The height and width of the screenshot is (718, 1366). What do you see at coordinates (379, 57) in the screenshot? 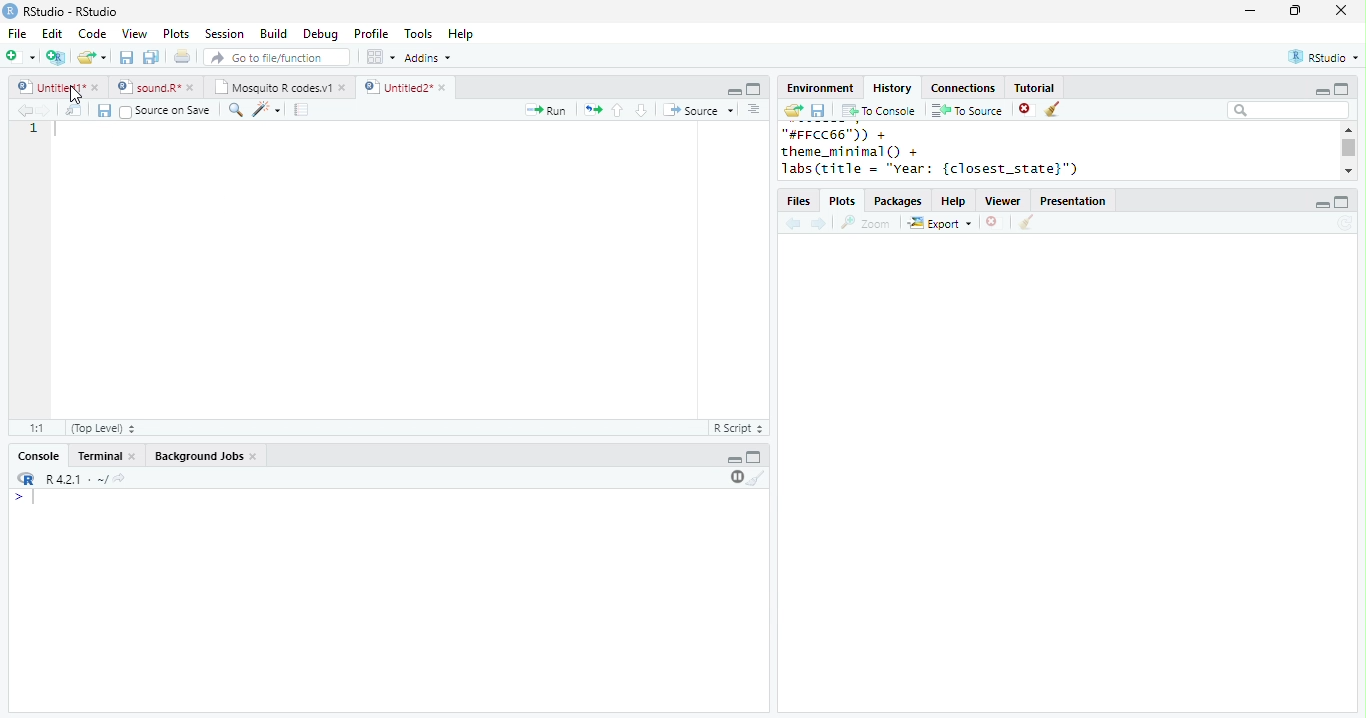
I see `options` at bounding box center [379, 57].